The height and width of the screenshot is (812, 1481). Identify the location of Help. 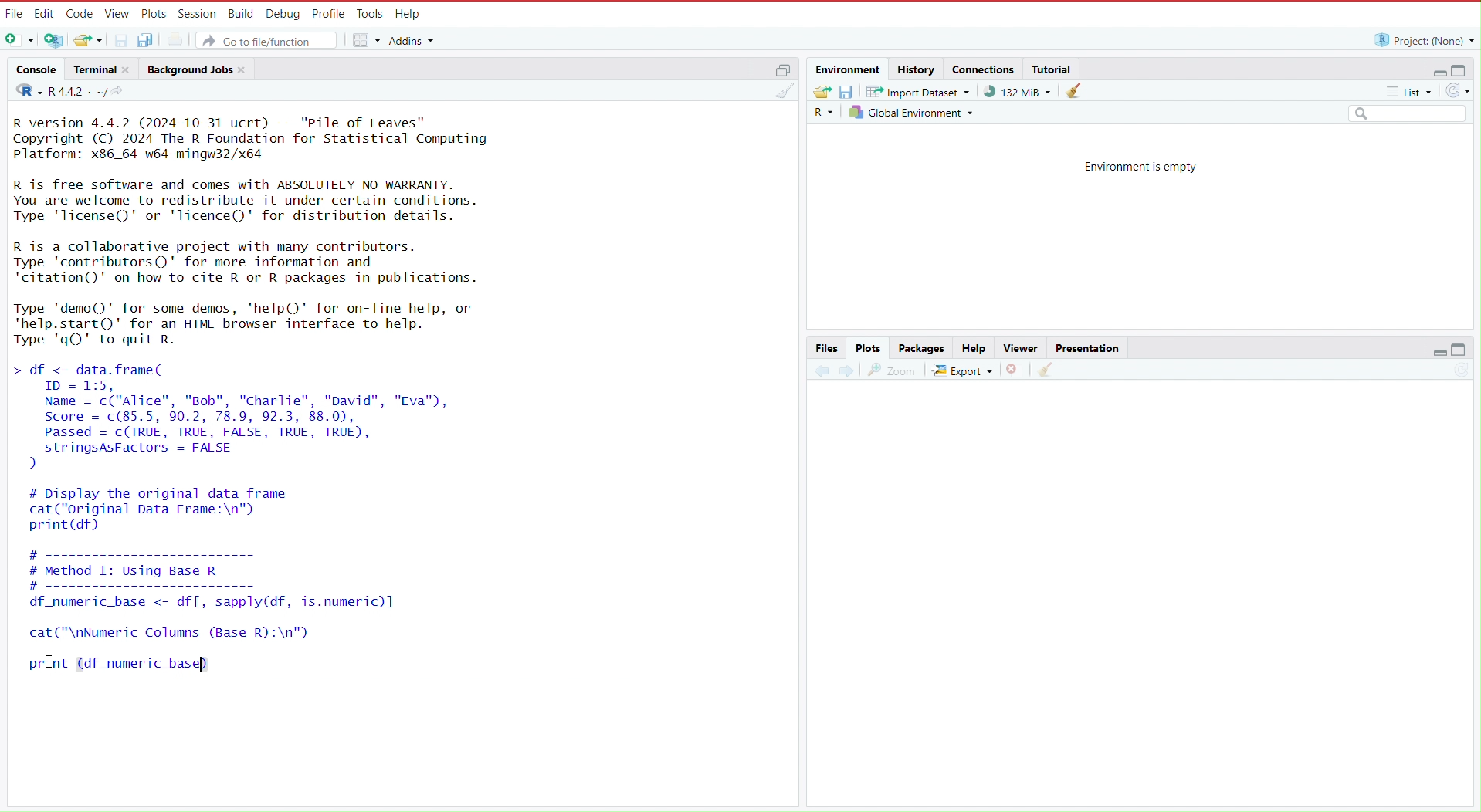
(409, 12).